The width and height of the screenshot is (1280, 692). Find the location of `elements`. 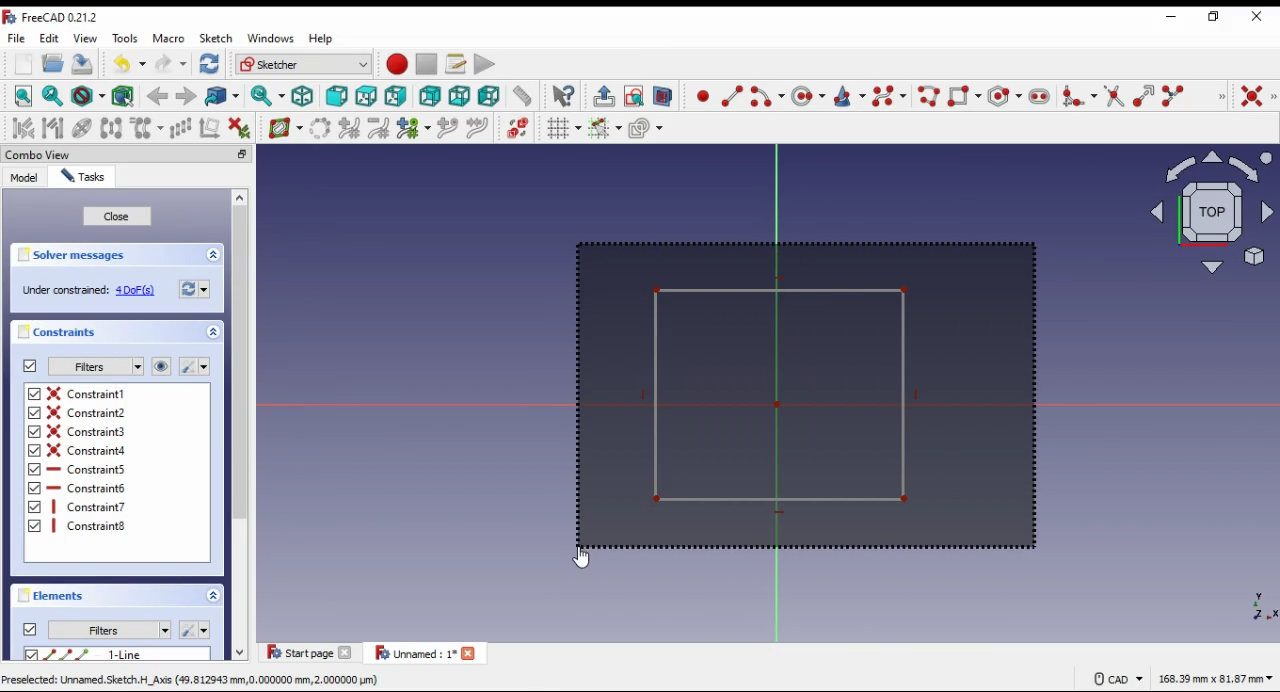

elements is located at coordinates (54, 596).